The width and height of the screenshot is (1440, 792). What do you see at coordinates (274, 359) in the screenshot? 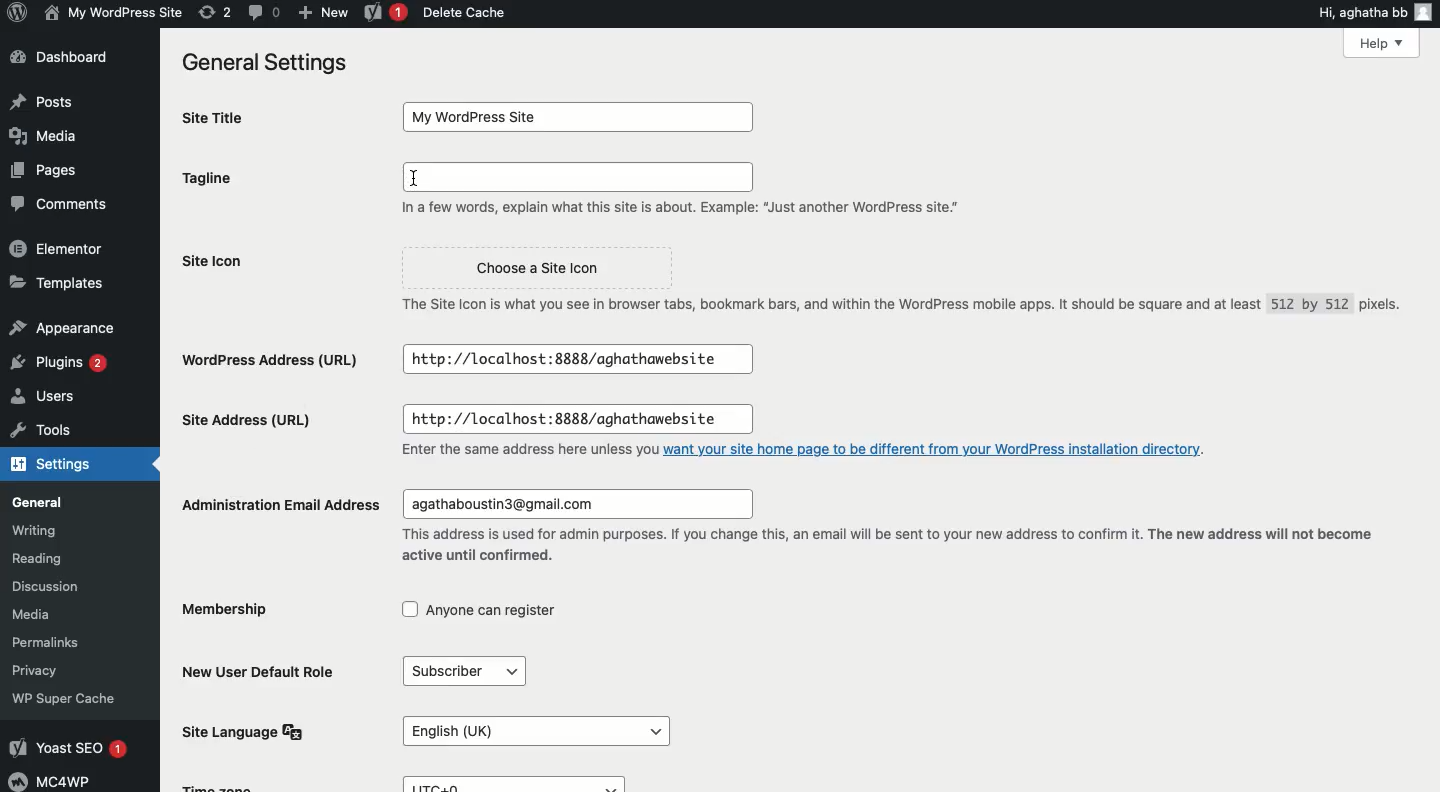
I see `WordPress Address URL` at bounding box center [274, 359].